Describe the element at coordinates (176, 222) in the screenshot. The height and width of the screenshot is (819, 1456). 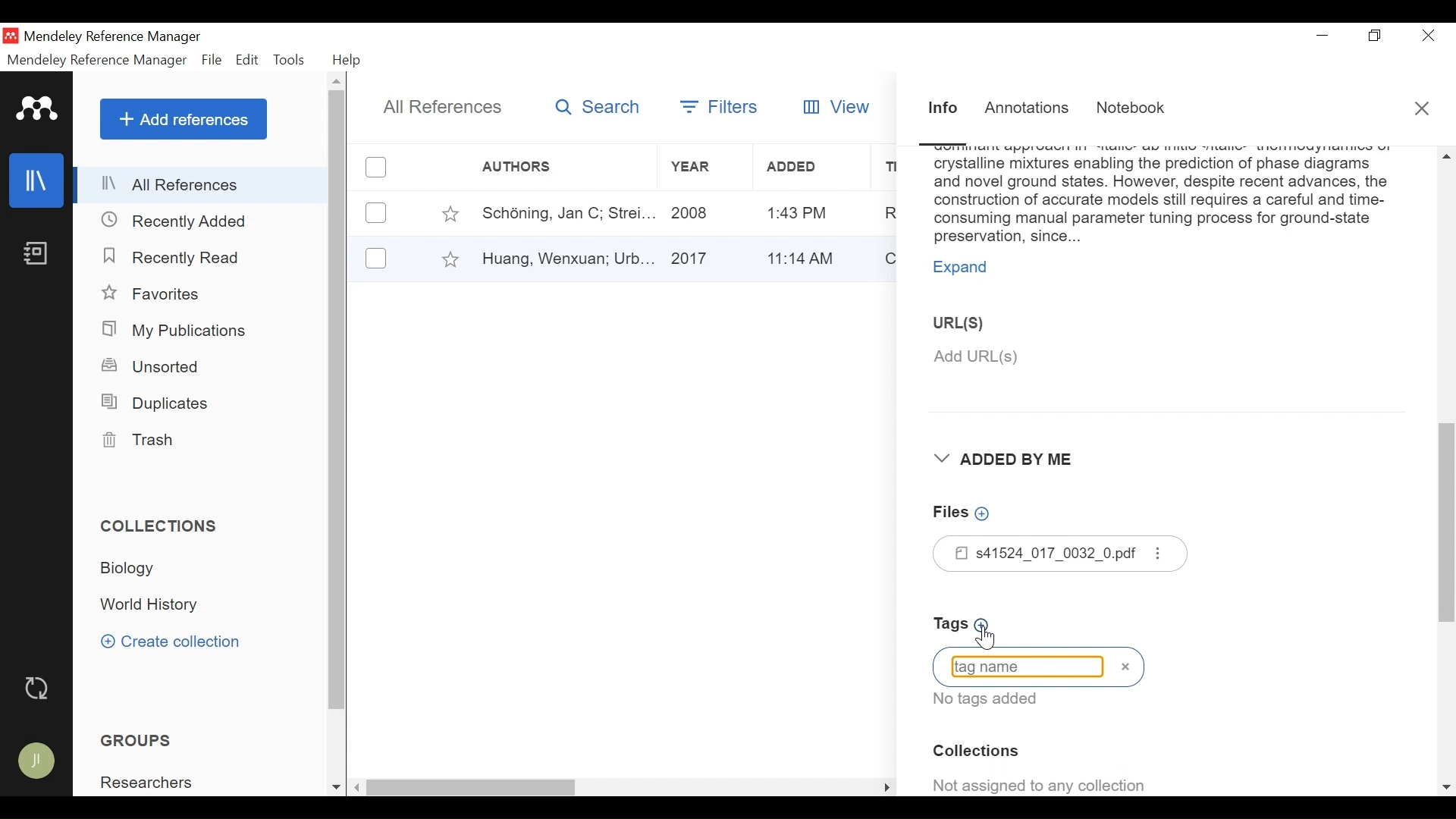
I see `Recently Added` at that location.